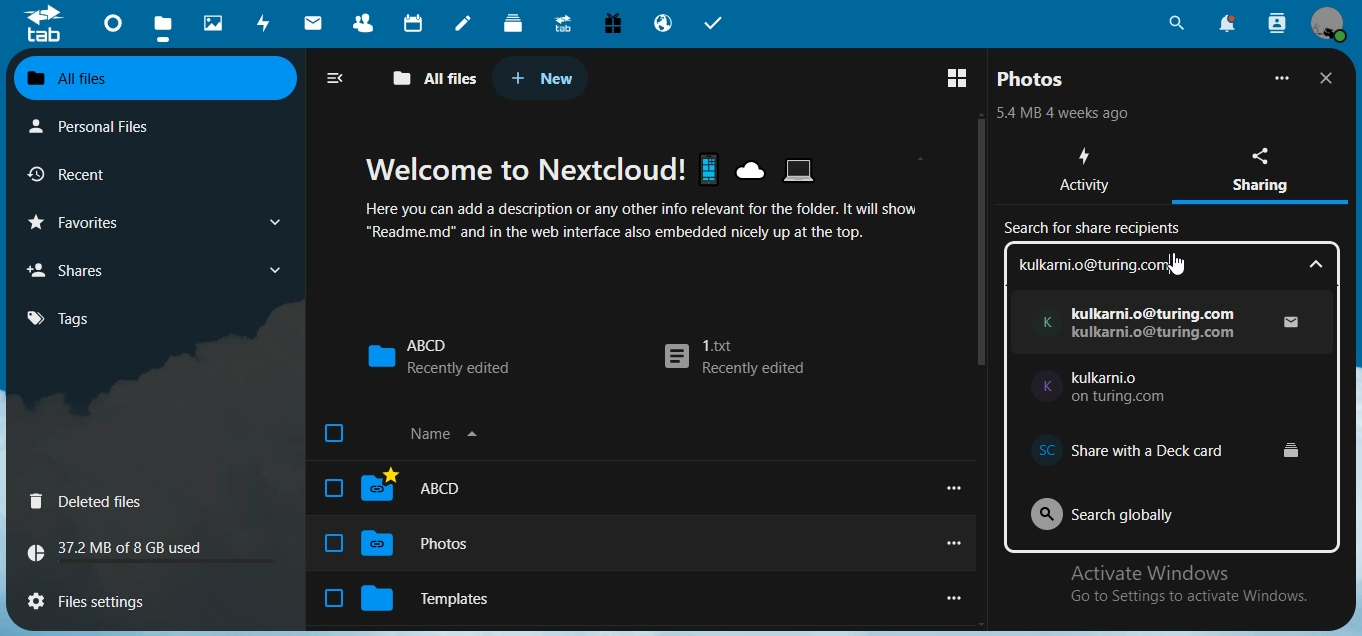 The width and height of the screenshot is (1362, 636). Describe the element at coordinates (449, 594) in the screenshot. I see `Templates` at that location.